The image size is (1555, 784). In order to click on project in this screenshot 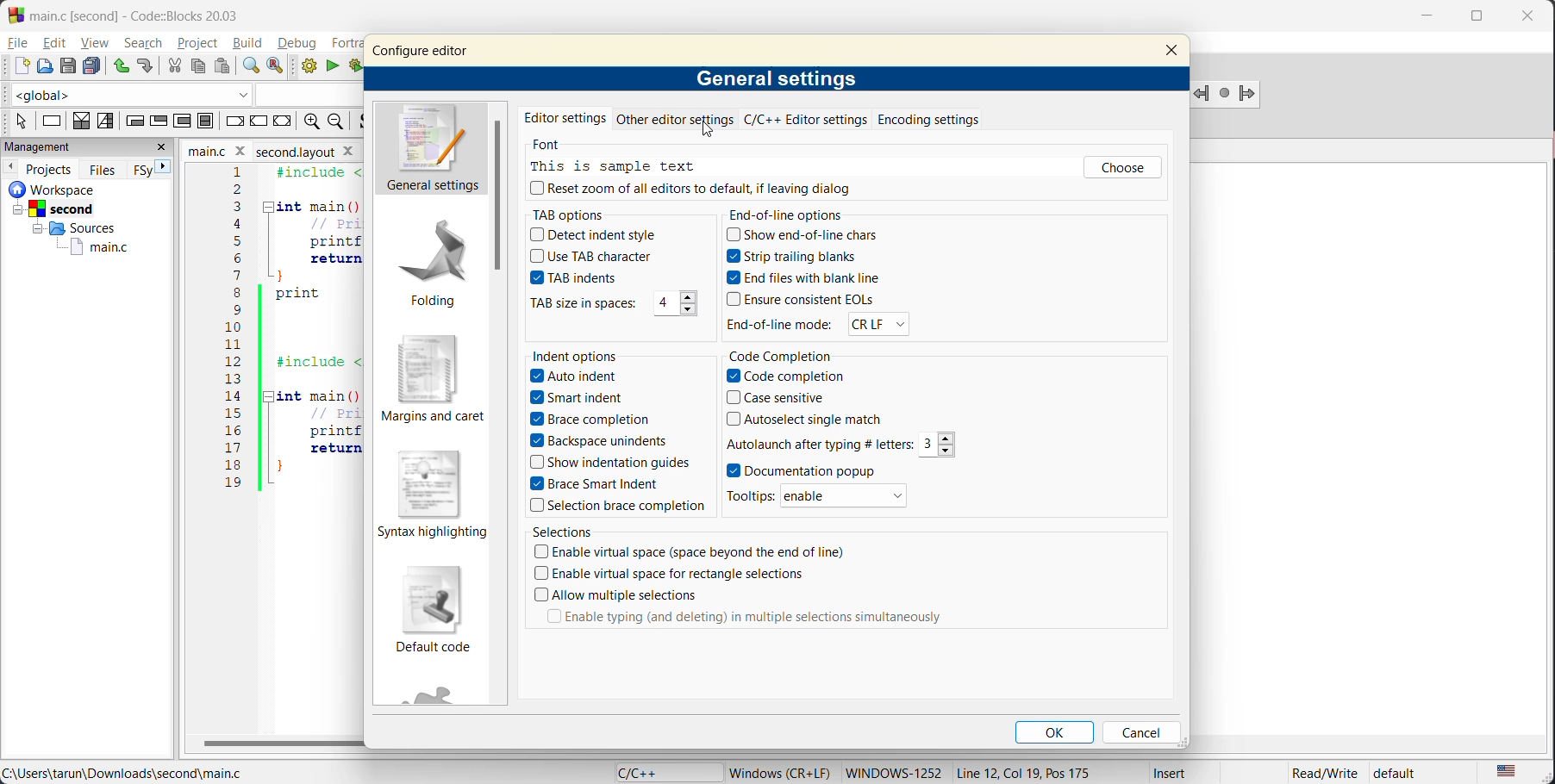, I will do `click(200, 45)`.